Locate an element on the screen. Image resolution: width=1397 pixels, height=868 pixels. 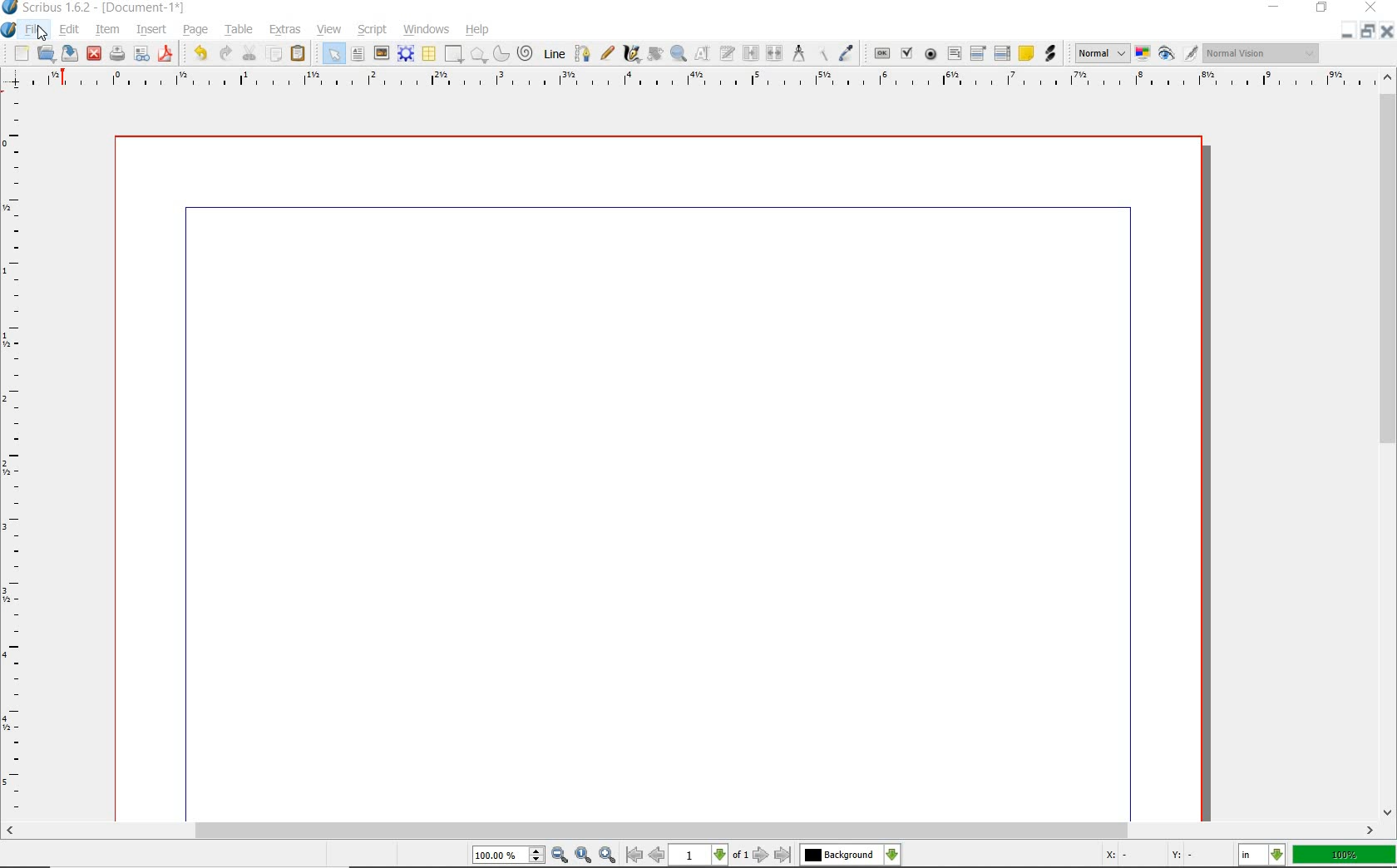
table is located at coordinates (429, 55).